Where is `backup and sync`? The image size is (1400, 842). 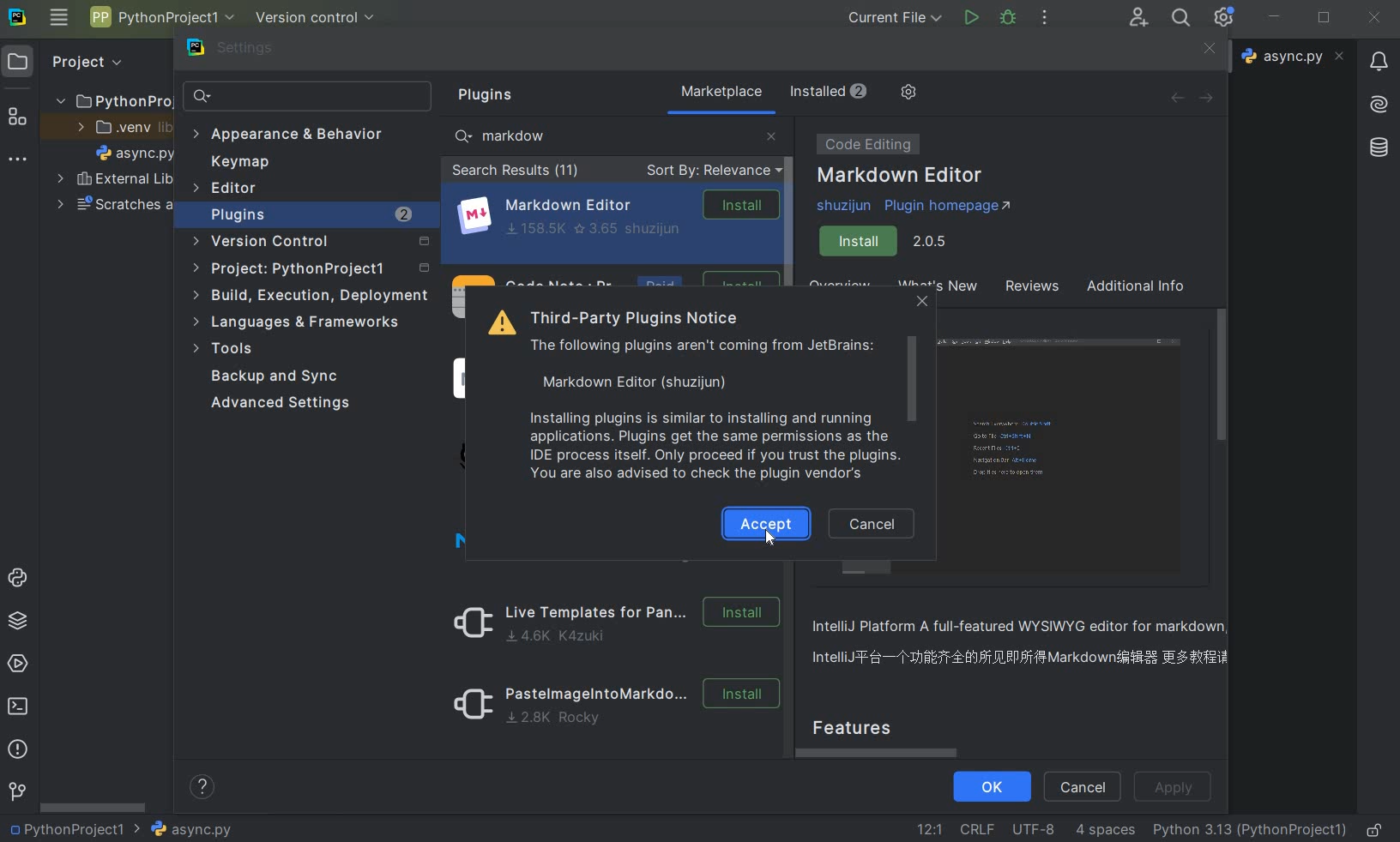
backup and sync is located at coordinates (287, 377).